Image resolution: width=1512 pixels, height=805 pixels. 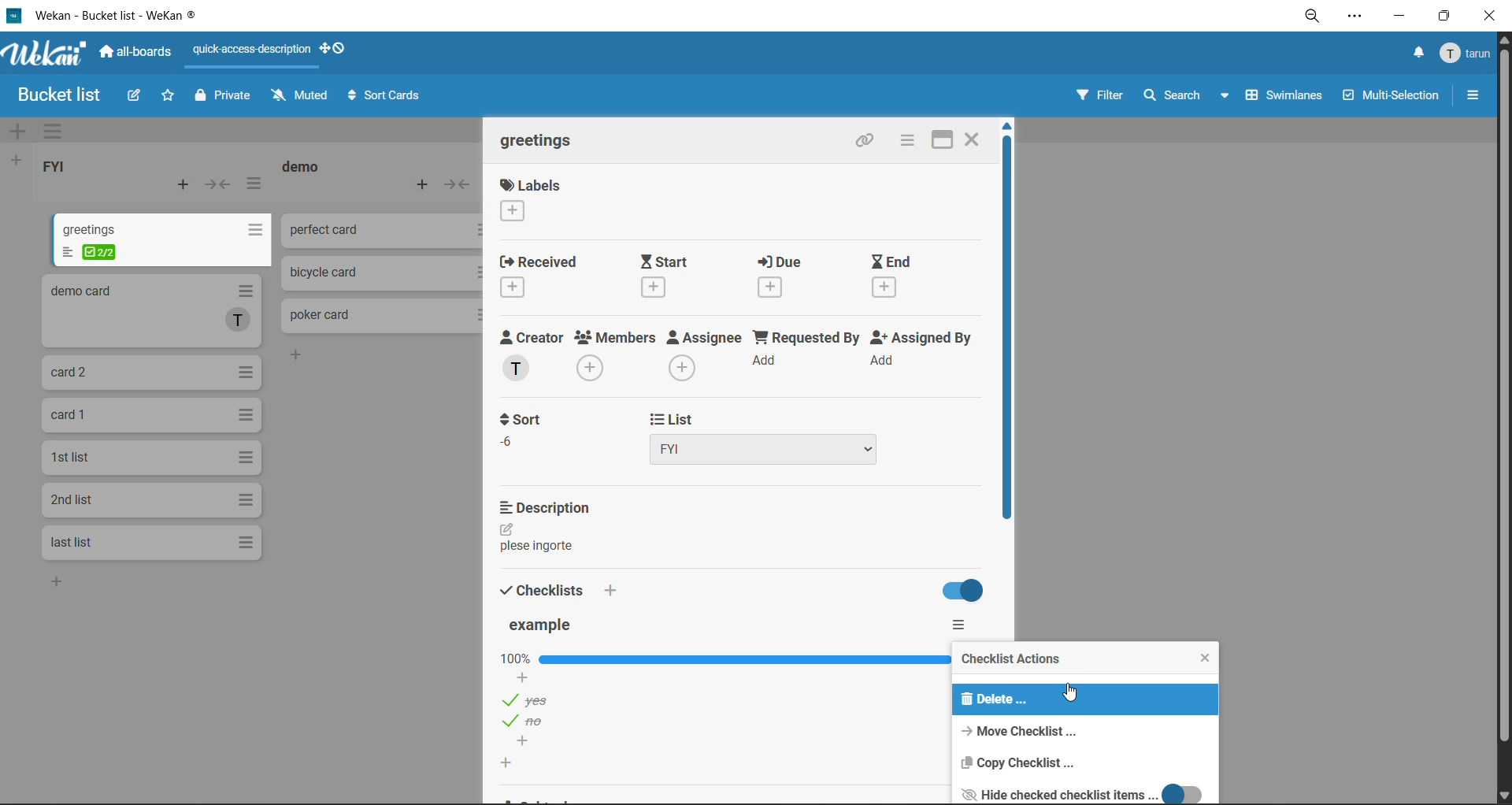 I want to click on add swimlane, so click(x=18, y=129).